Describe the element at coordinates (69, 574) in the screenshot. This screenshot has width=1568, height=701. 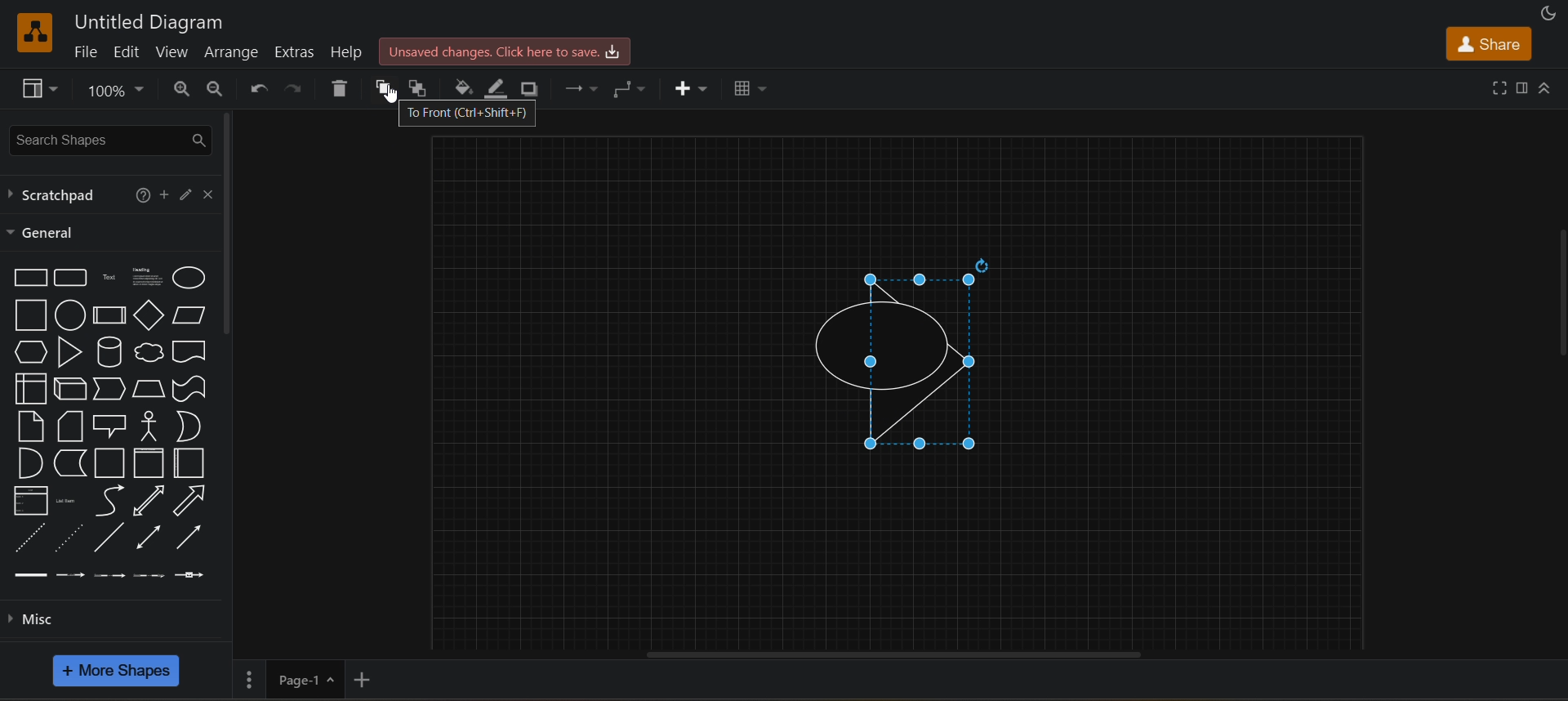
I see `connector with label` at that location.